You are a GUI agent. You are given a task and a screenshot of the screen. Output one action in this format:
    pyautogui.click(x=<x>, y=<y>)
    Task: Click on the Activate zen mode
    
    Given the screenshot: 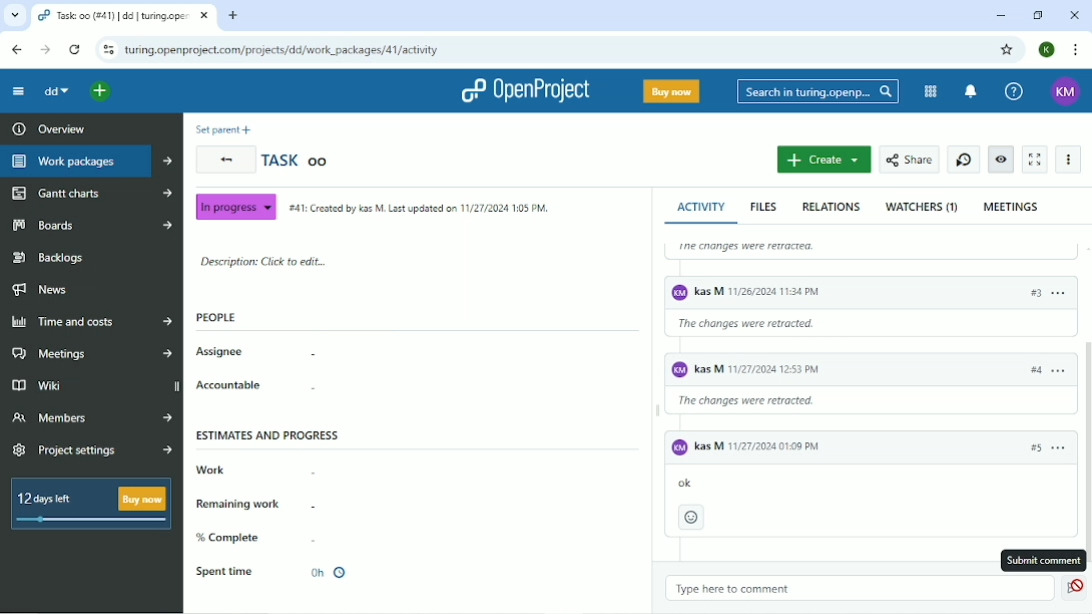 What is the action you would take?
    pyautogui.click(x=1037, y=159)
    